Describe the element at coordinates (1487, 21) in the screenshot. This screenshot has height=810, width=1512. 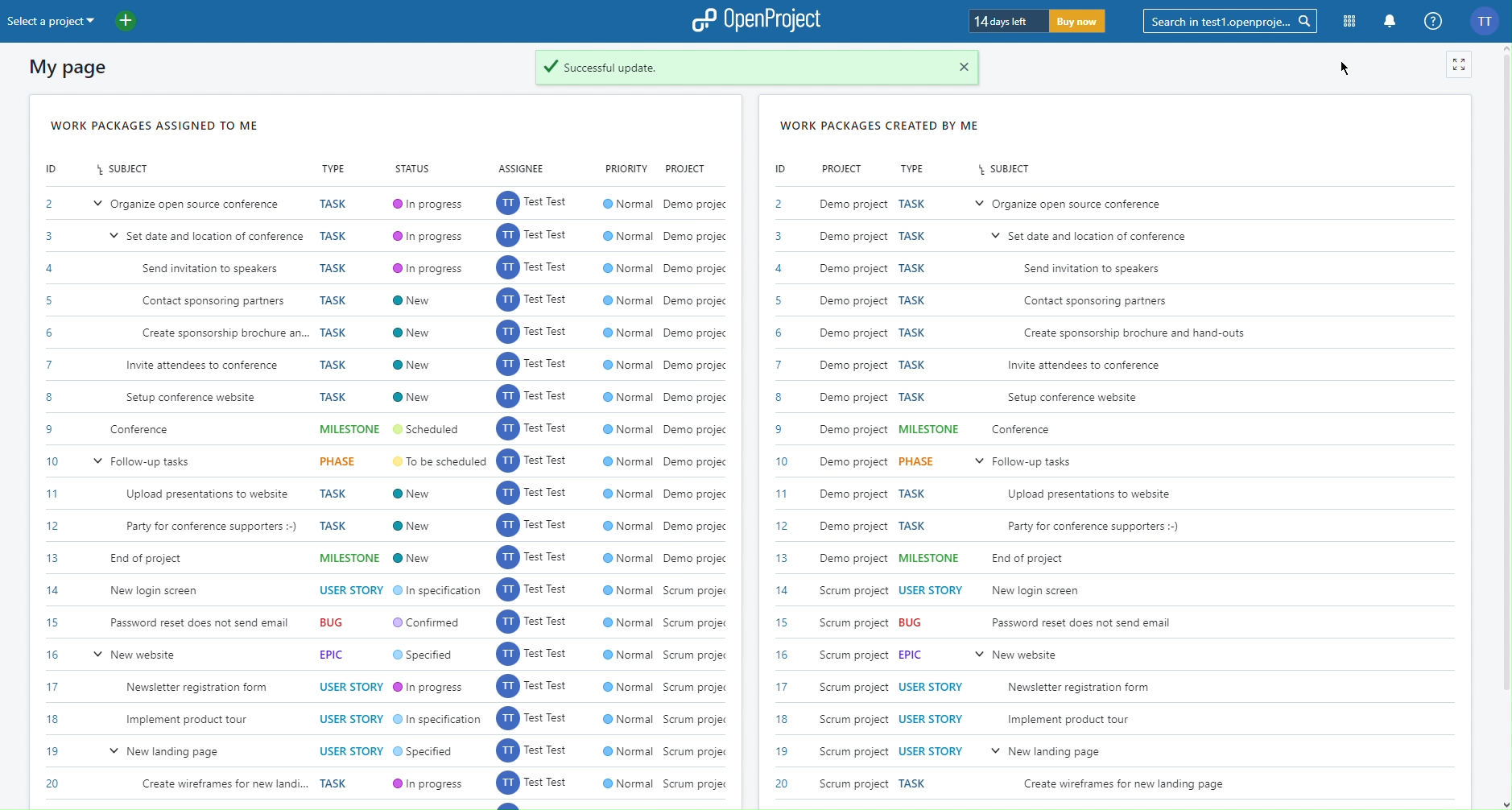
I see `Account` at that location.